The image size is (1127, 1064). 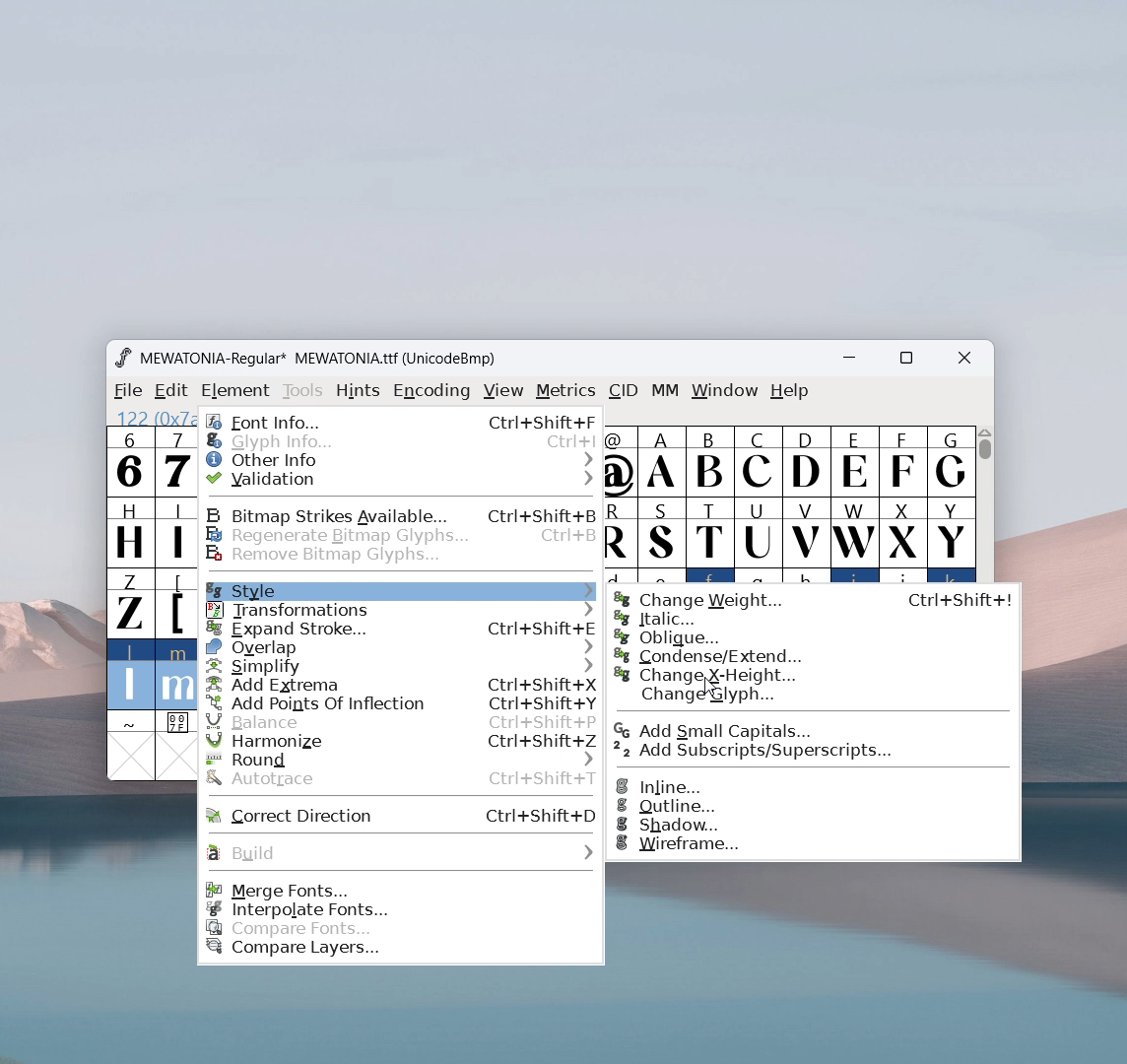 I want to click on add small capitals, so click(x=817, y=730).